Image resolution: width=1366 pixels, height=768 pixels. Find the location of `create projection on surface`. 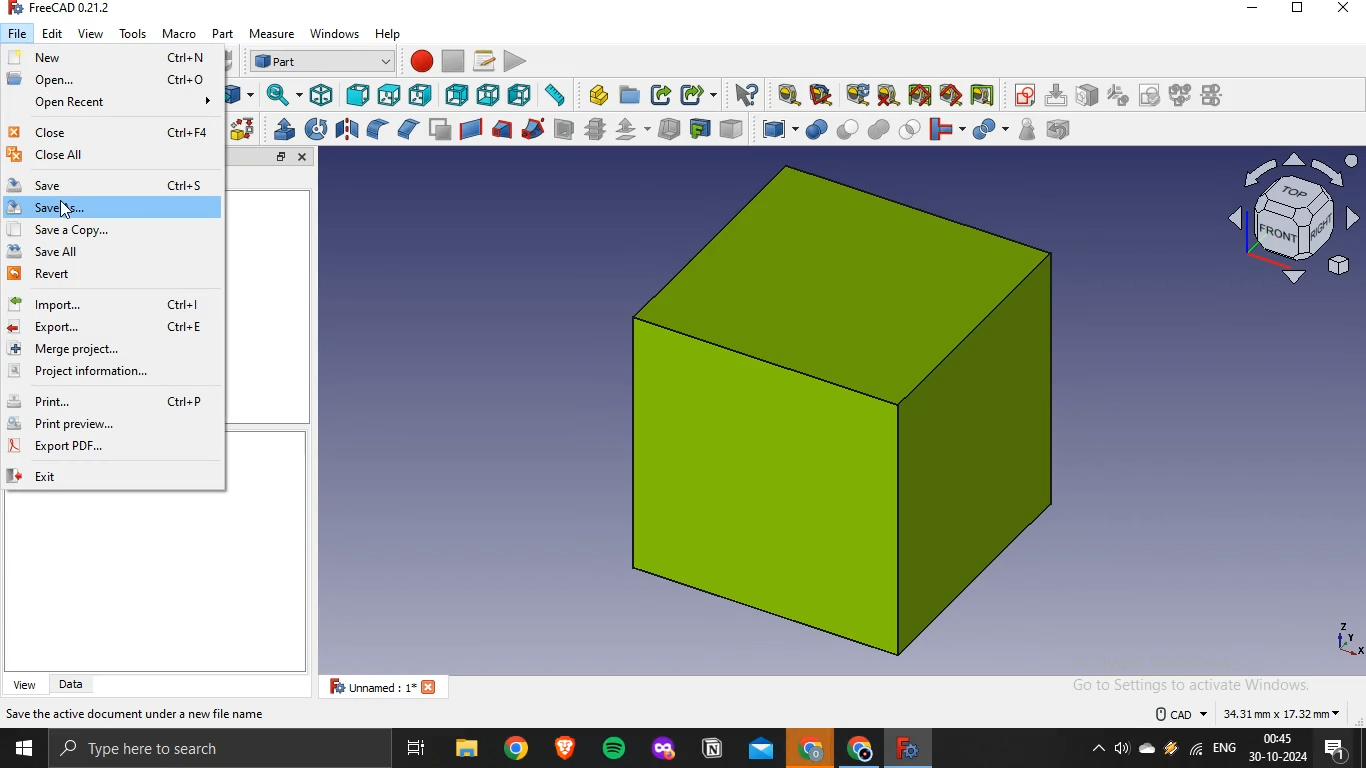

create projection on surface is located at coordinates (699, 130).